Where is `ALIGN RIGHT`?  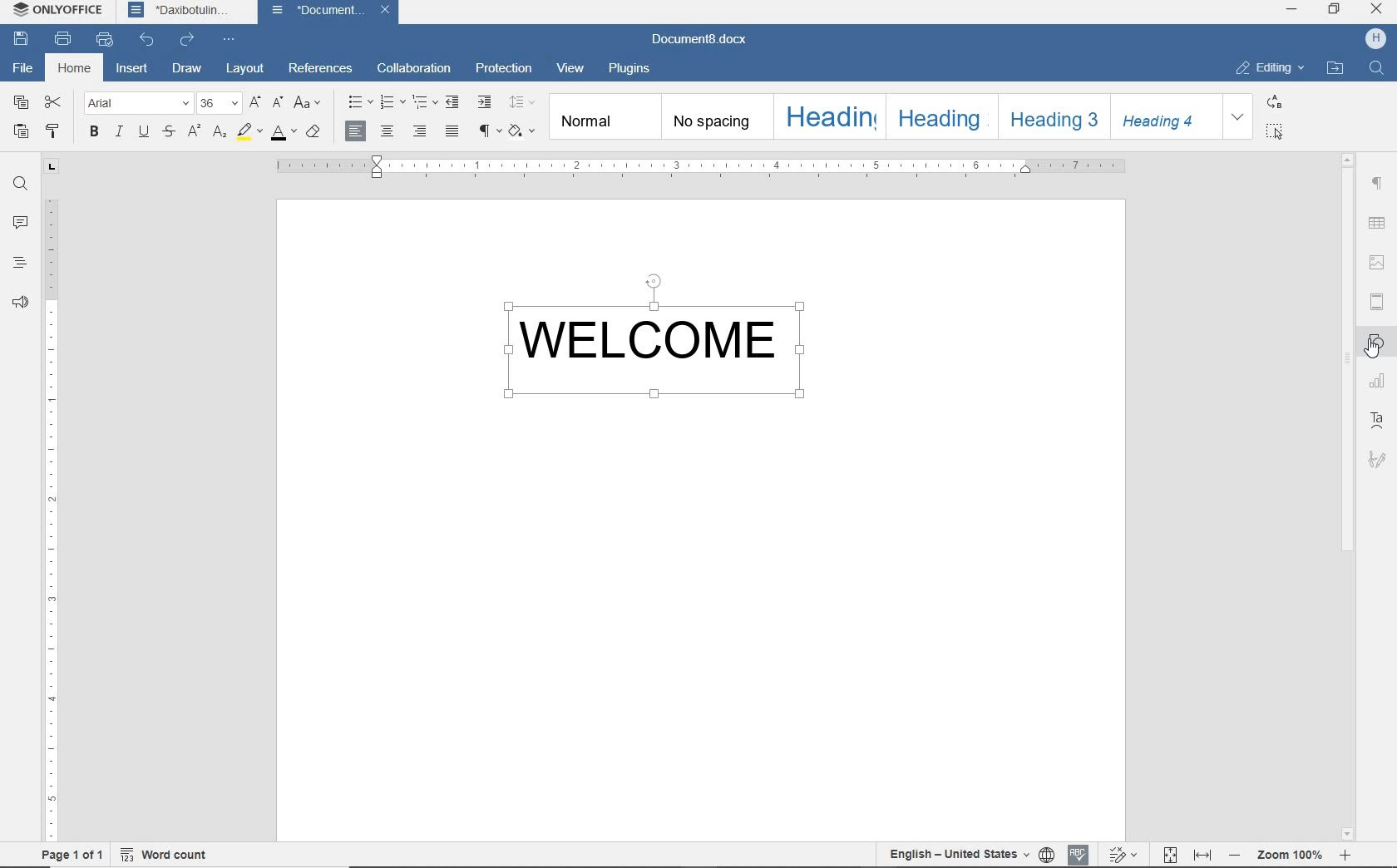 ALIGN RIGHT is located at coordinates (420, 130).